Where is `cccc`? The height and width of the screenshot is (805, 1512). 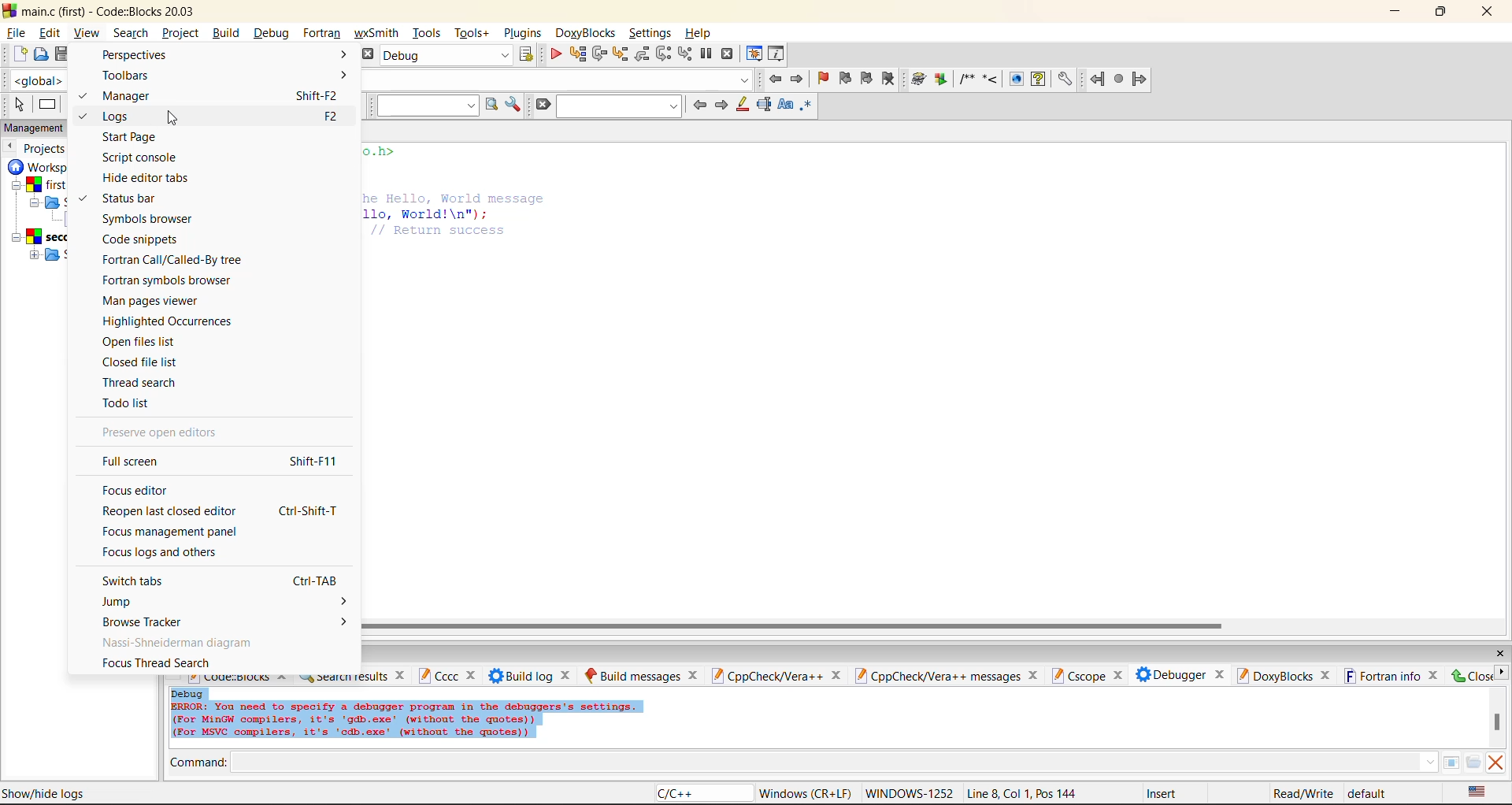
cccc is located at coordinates (447, 677).